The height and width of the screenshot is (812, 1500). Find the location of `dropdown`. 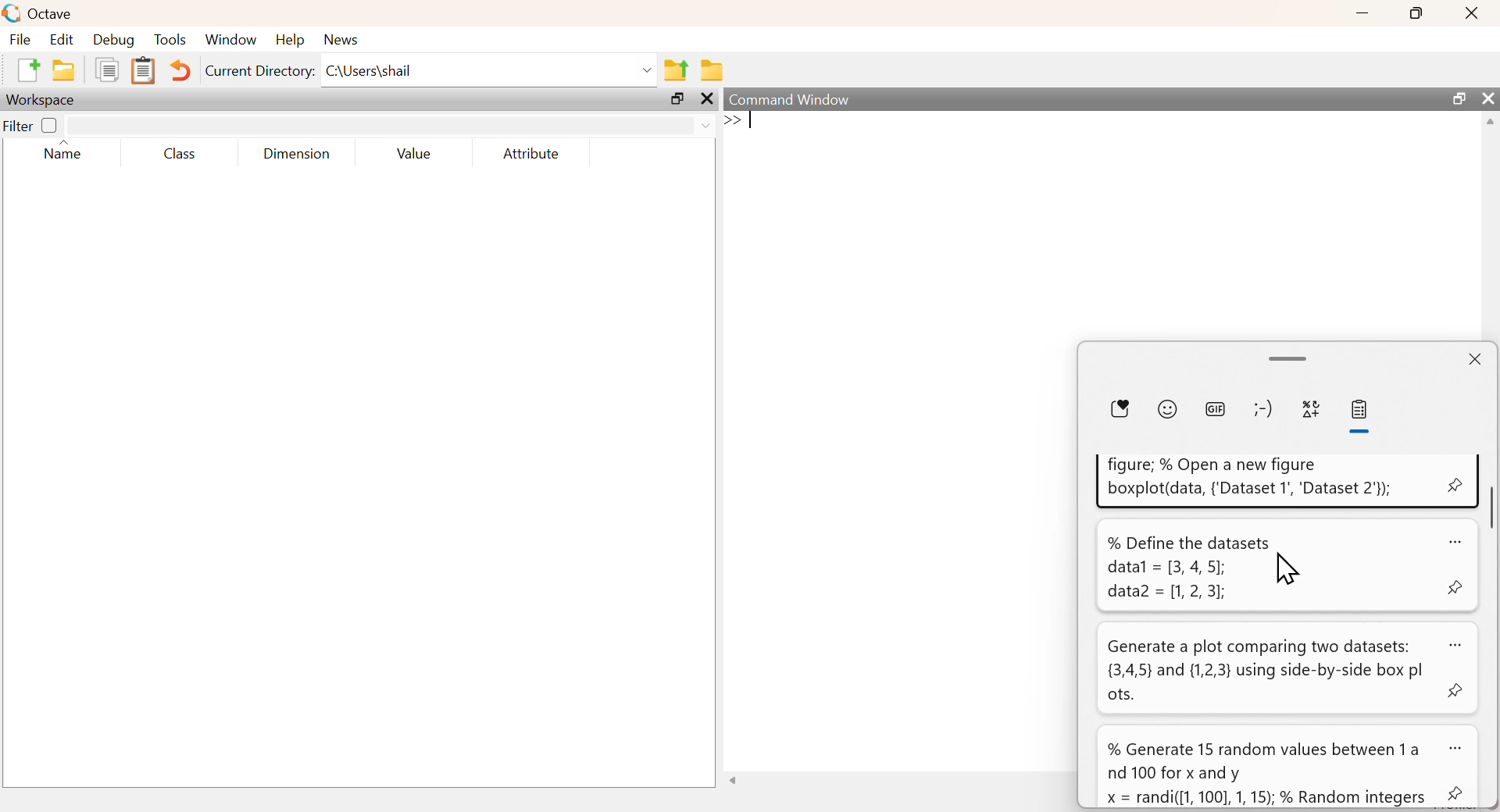

dropdown is located at coordinates (645, 69).